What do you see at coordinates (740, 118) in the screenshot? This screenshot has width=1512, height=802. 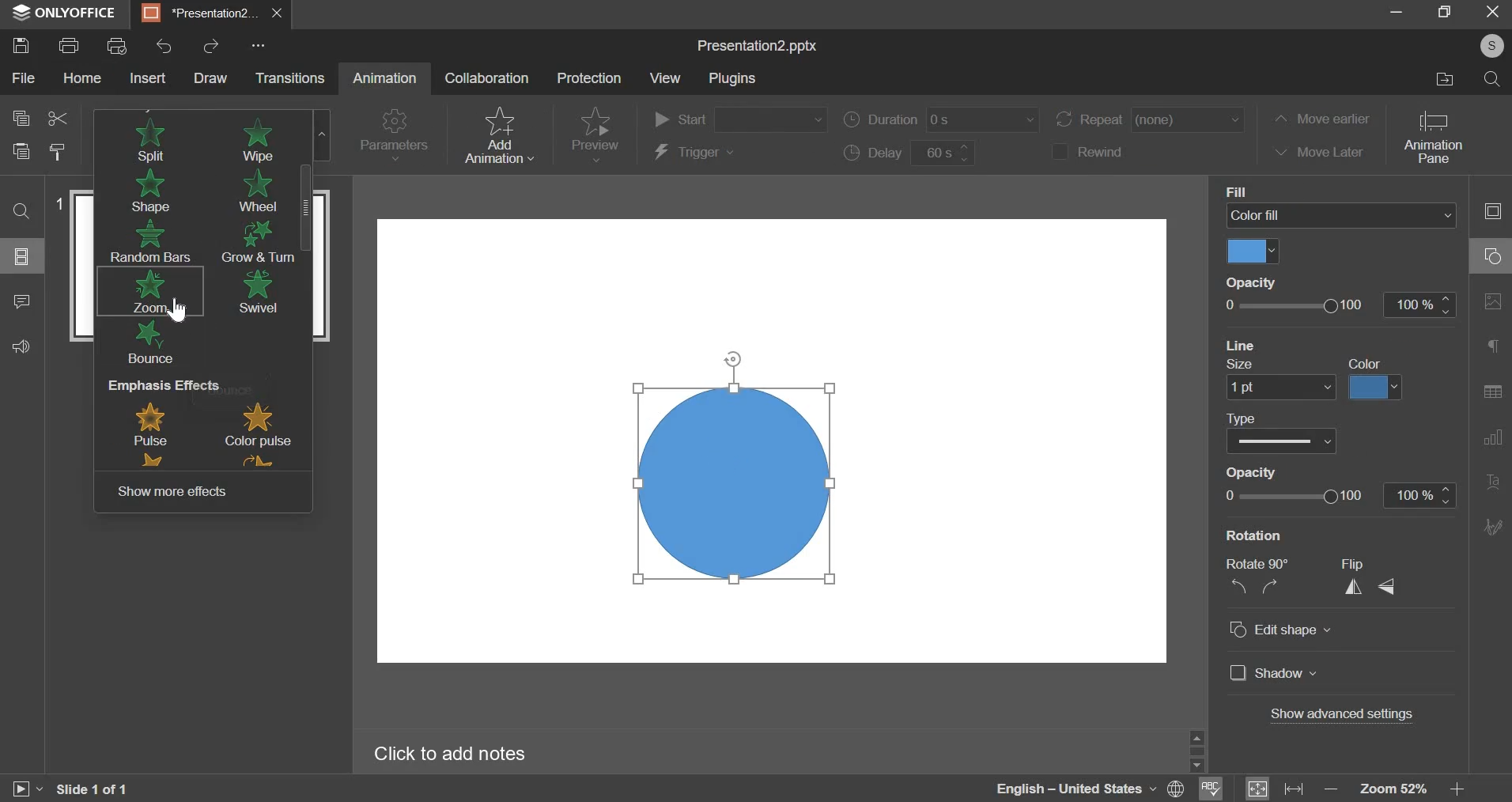 I see `start` at bounding box center [740, 118].